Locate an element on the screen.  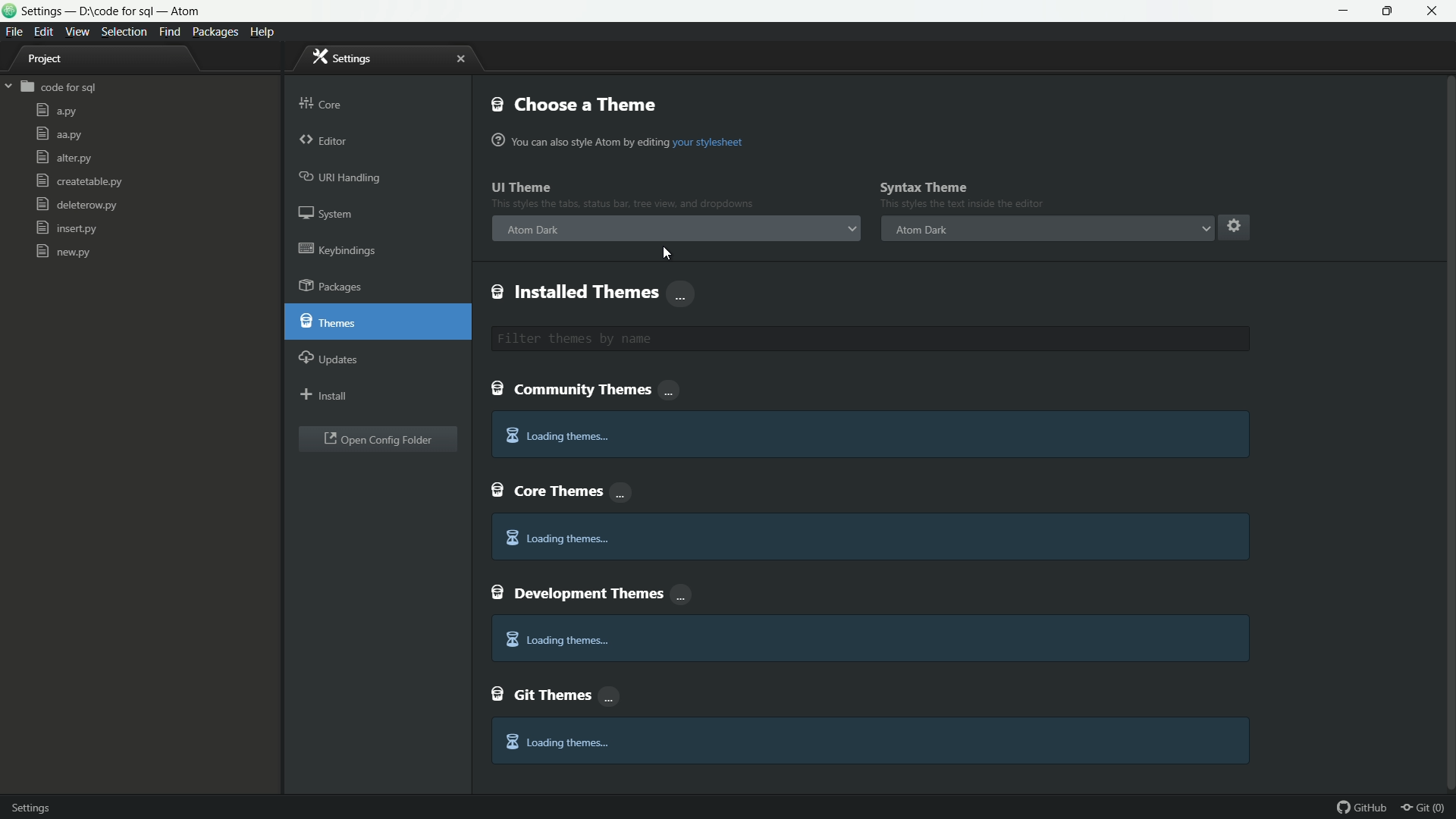
this styles the text inside the editor is located at coordinates (962, 205).